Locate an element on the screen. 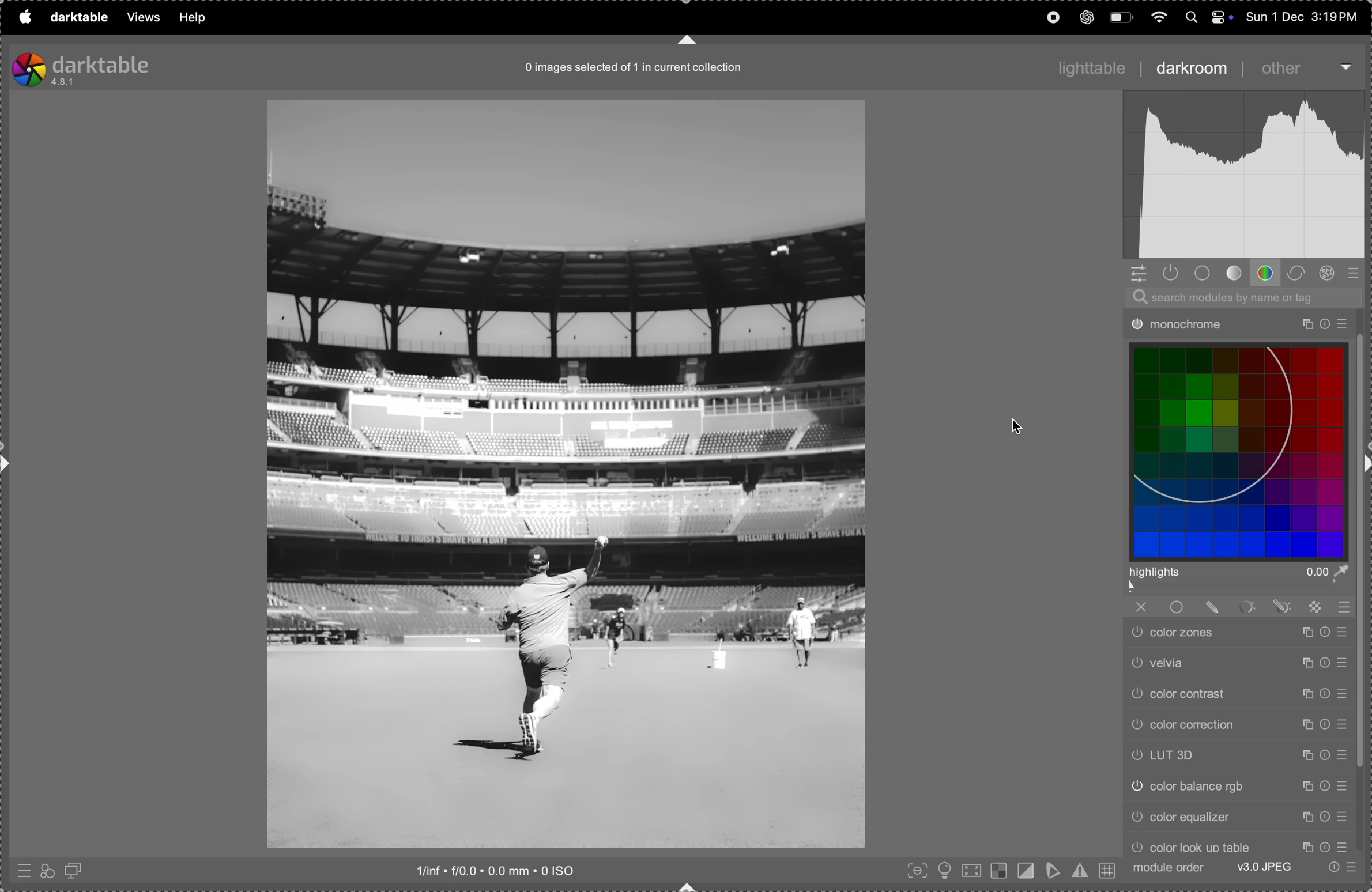  correct is located at coordinates (1297, 272).